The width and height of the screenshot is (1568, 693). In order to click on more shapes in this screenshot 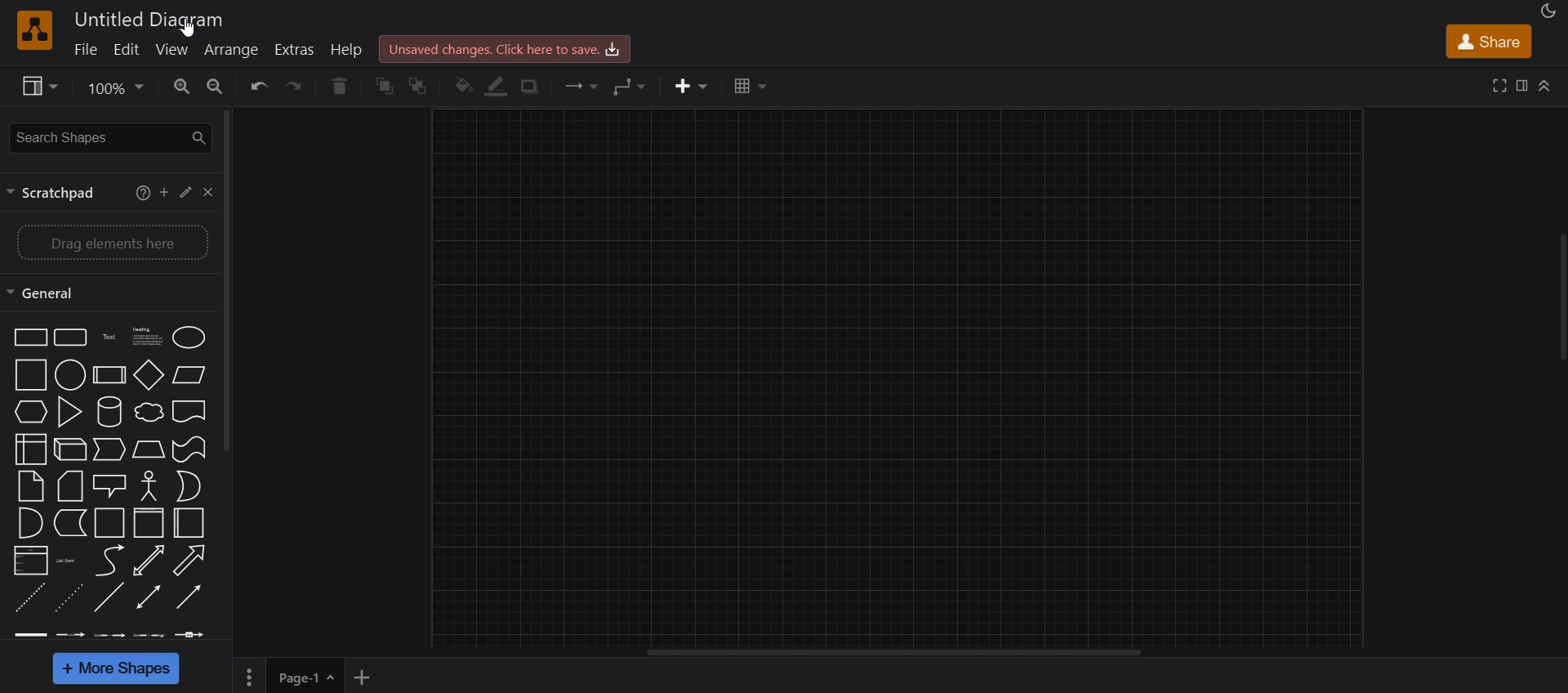, I will do `click(118, 669)`.